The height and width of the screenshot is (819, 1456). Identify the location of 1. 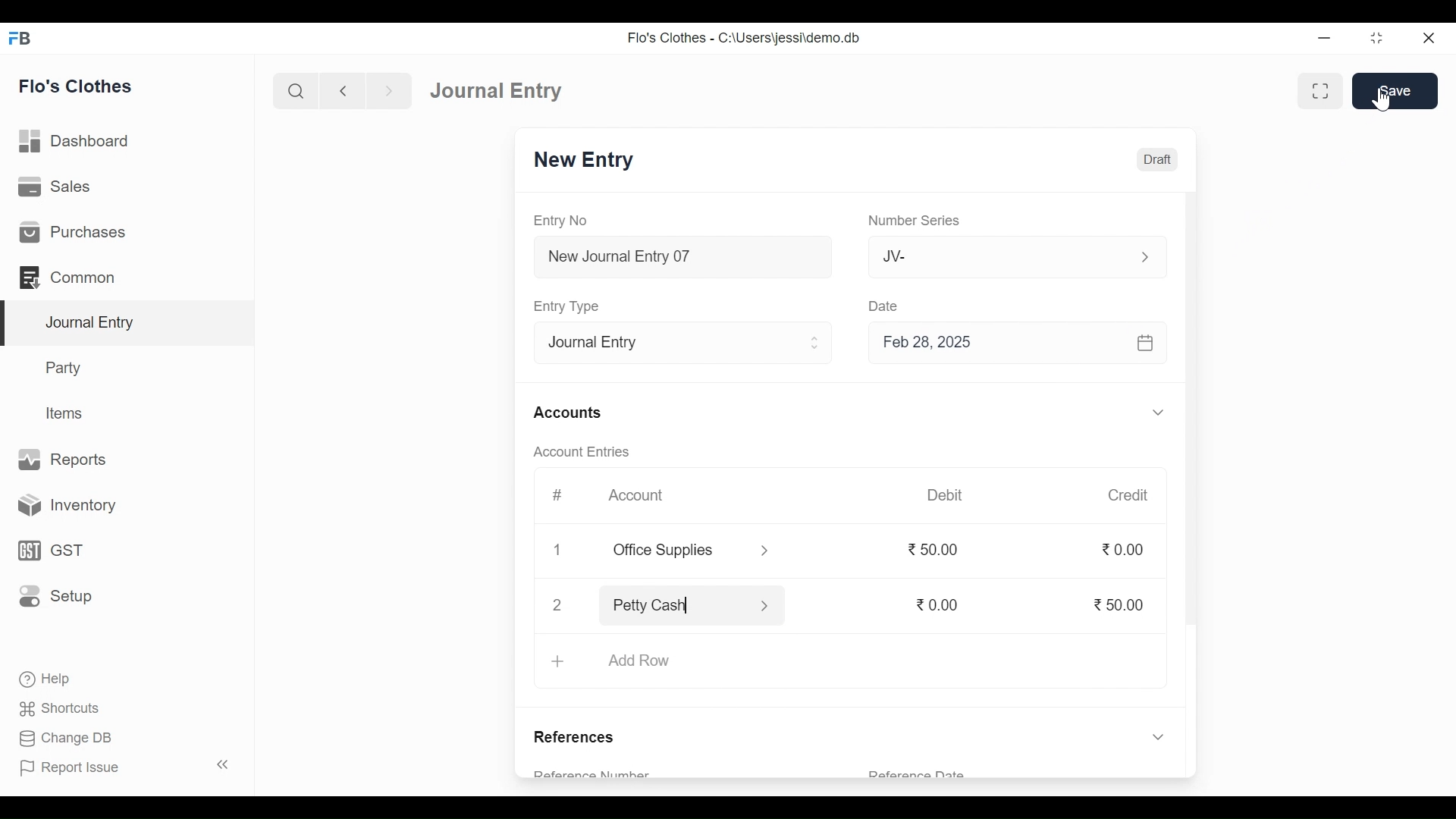
(557, 547).